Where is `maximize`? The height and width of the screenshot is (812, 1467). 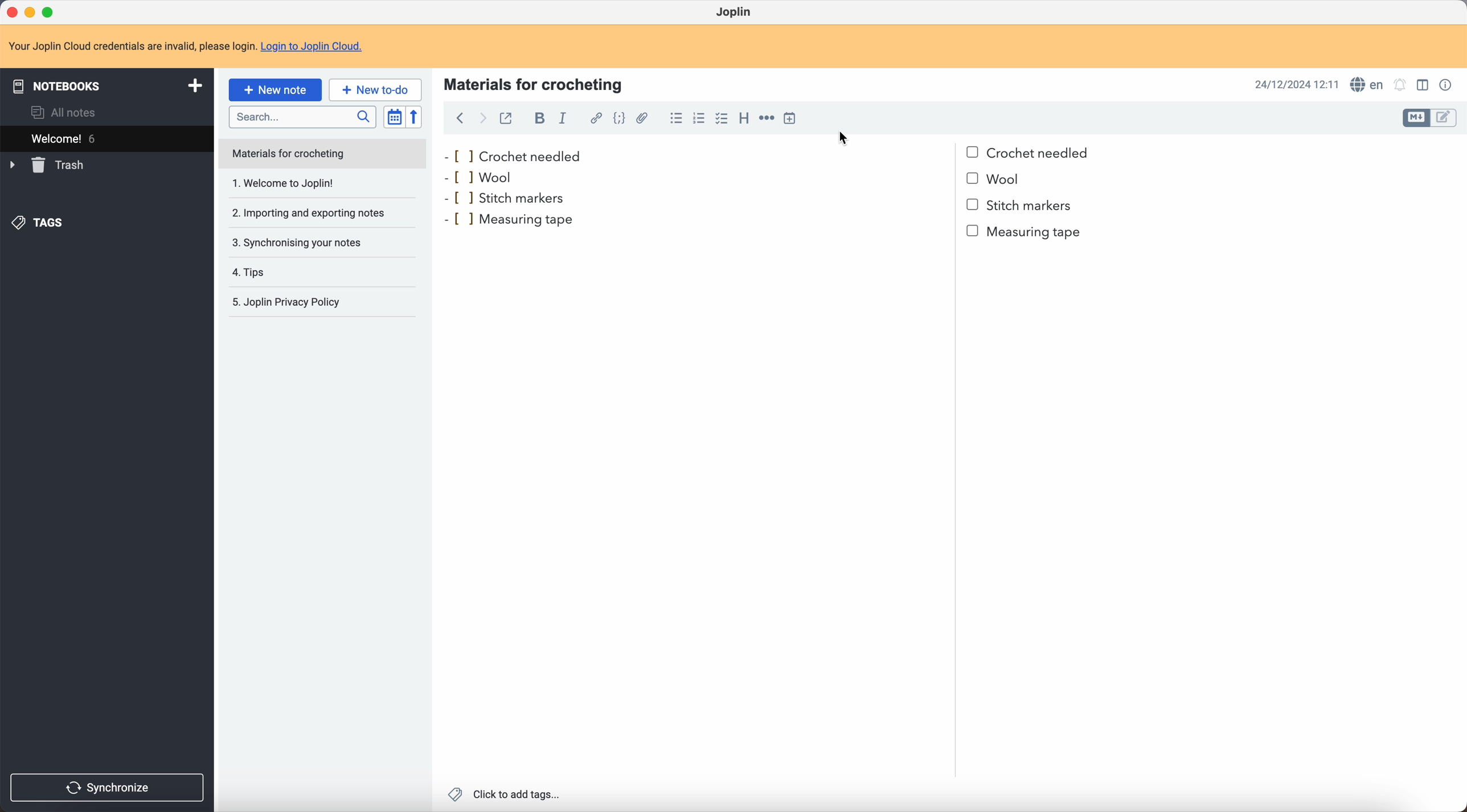 maximize is located at coordinates (51, 13).